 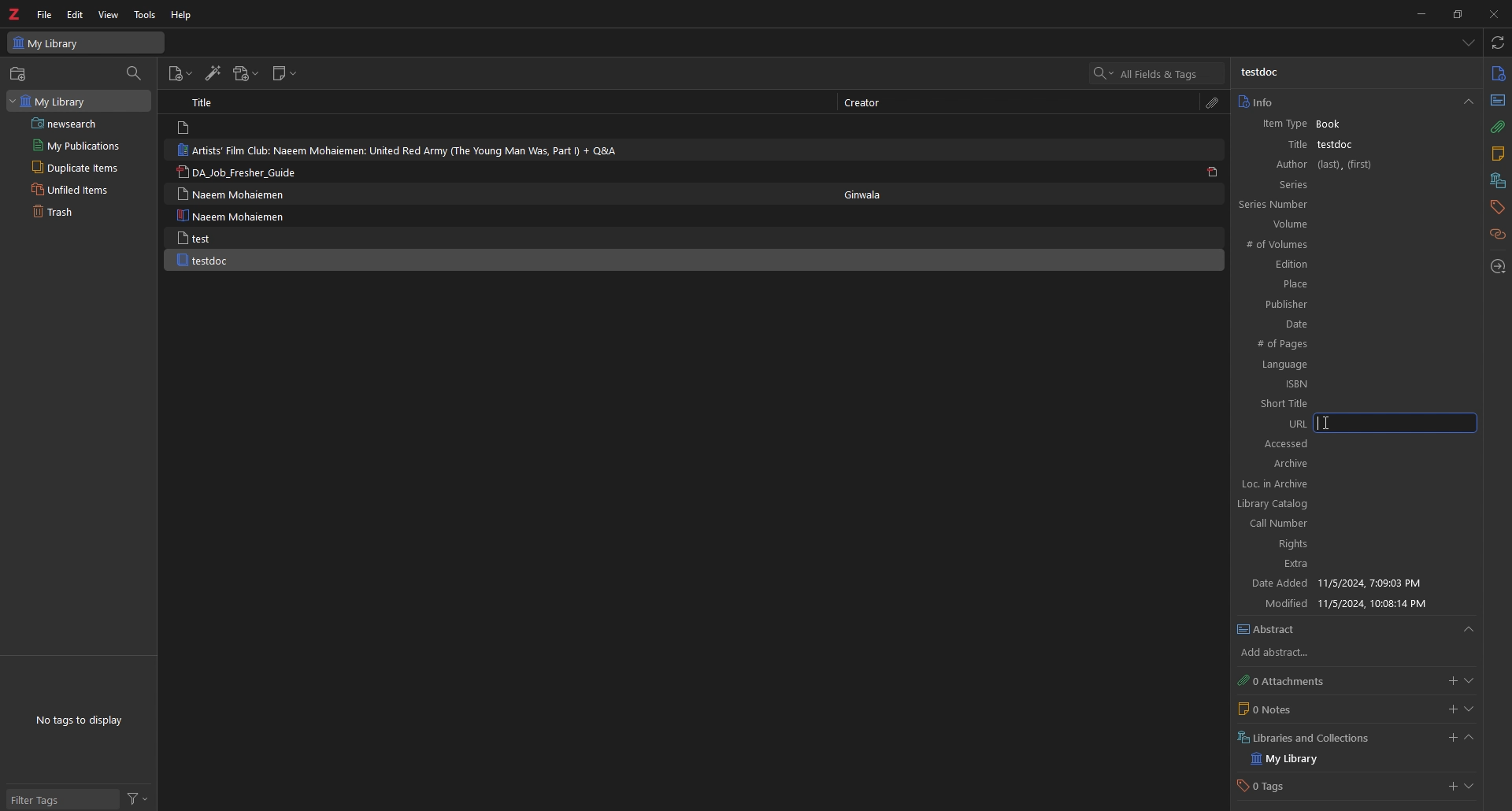 I want to click on cursor, so click(x=1327, y=424).